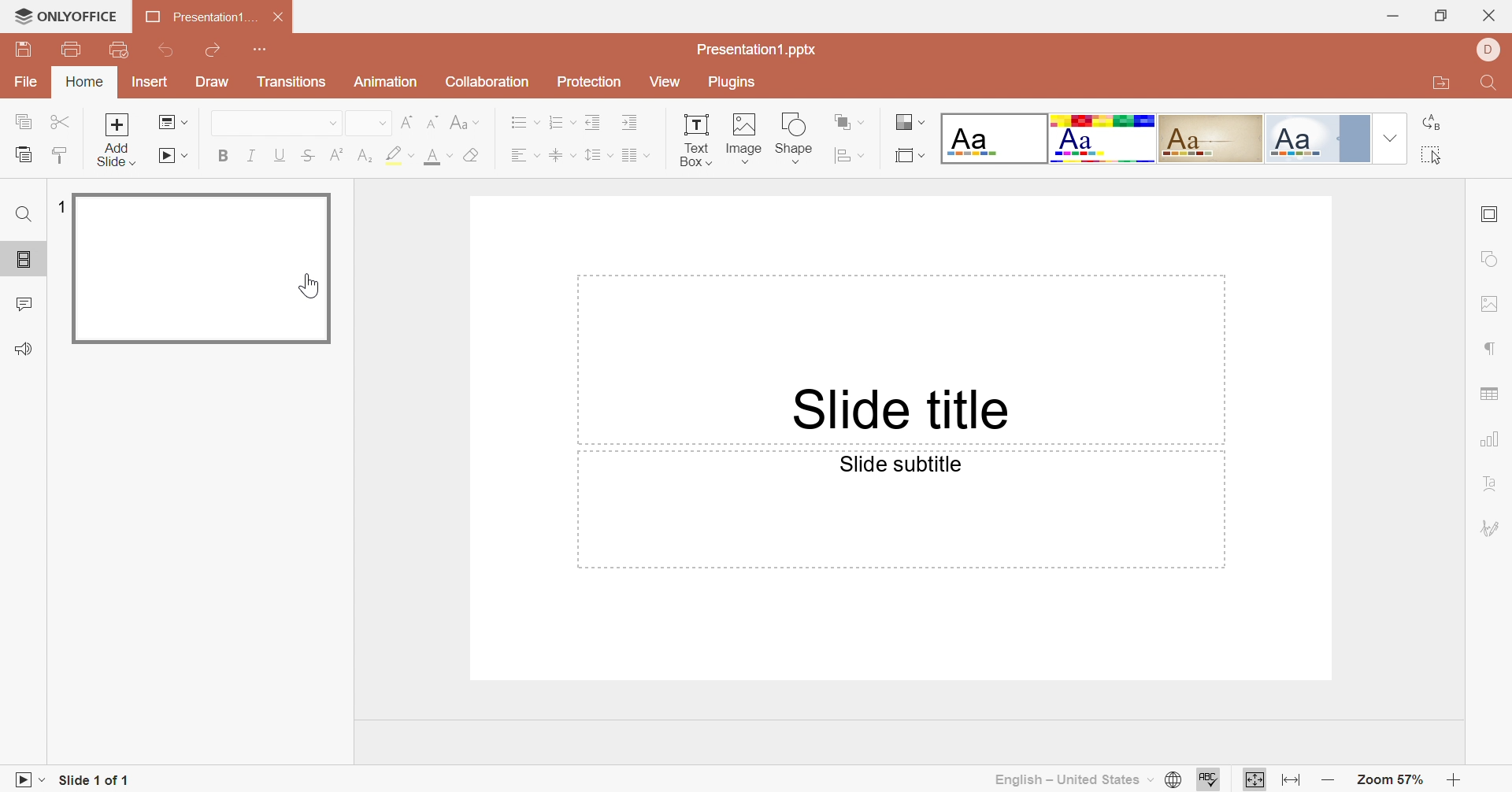 The width and height of the screenshot is (1512, 792). Describe the element at coordinates (743, 139) in the screenshot. I see `Image` at that location.